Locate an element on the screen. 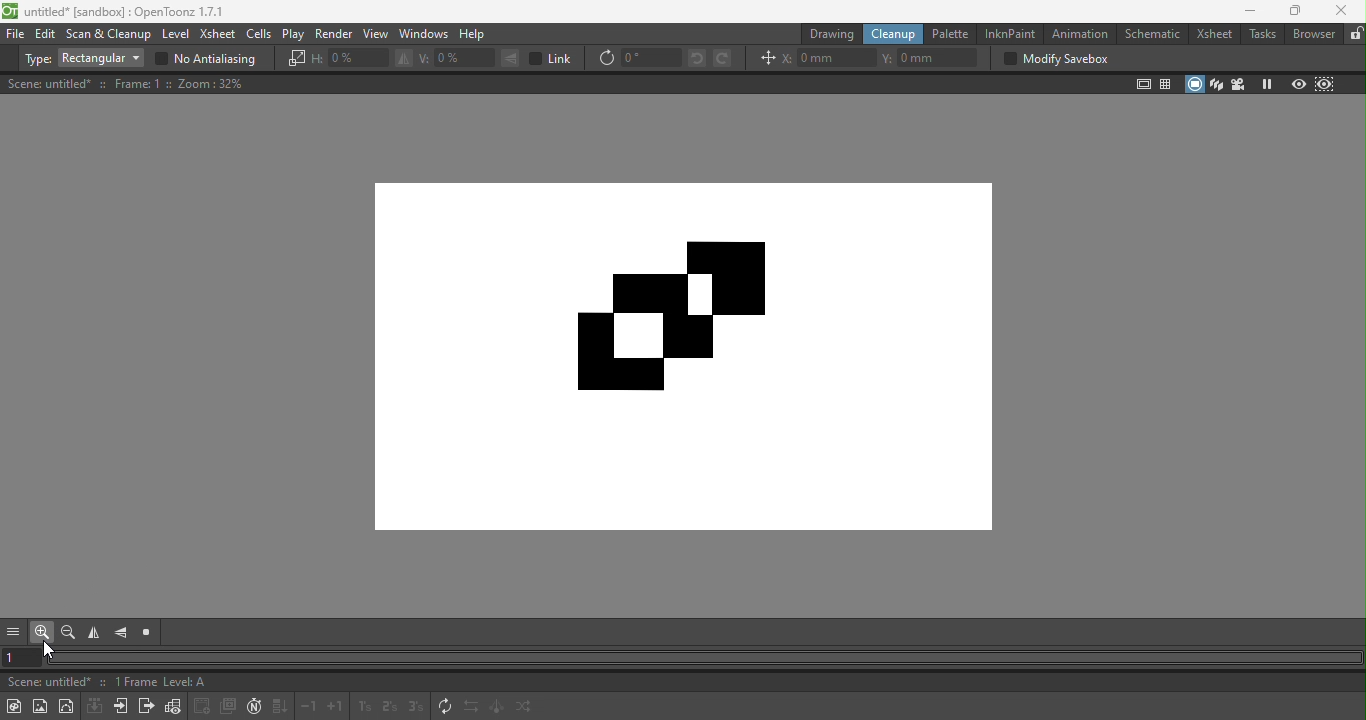 This screenshot has height=720, width=1366. Modify Savebox is located at coordinates (1052, 60).